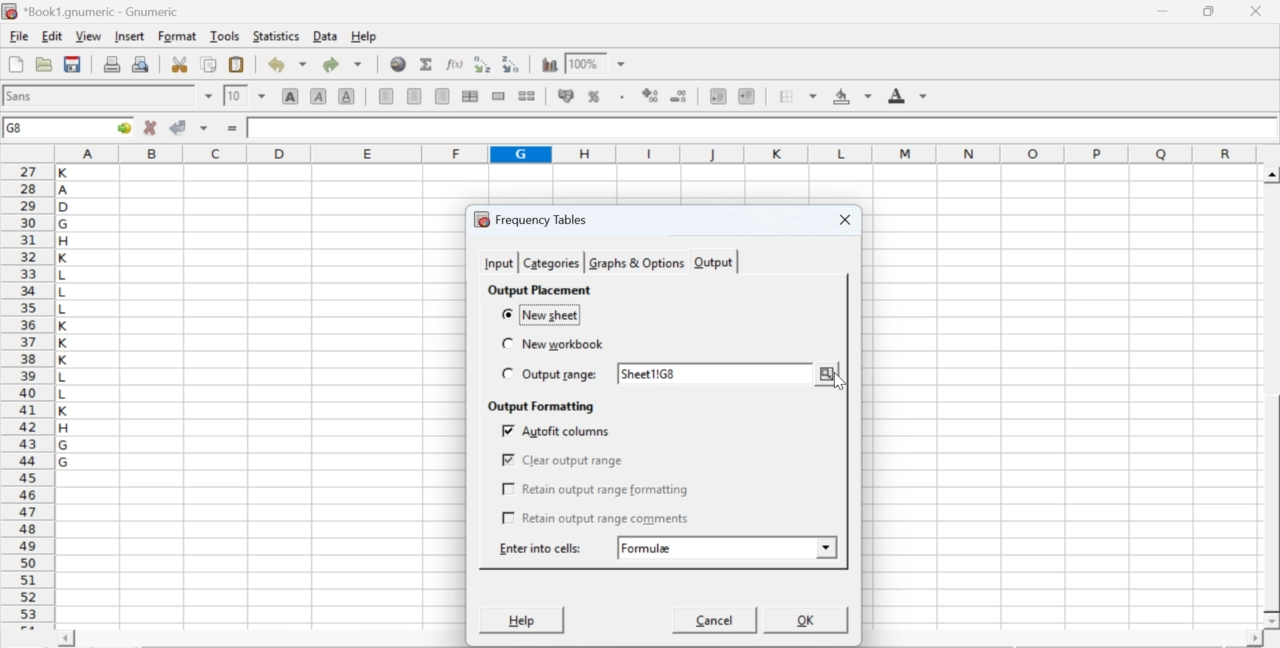  I want to click on drop down, so click(210, 96).